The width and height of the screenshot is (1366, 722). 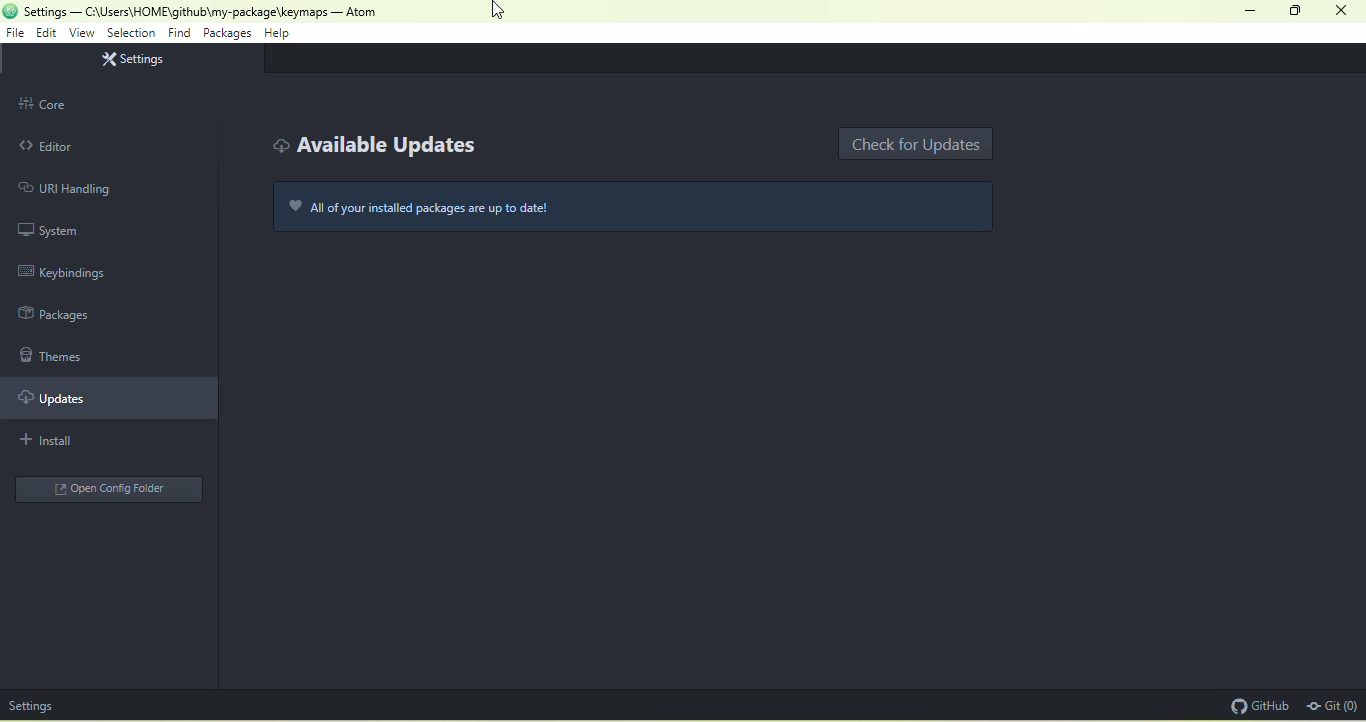 What do you see at coordinates (1257, 706) in the screenshot?
I see `github` at bounding box center [1257, 706].